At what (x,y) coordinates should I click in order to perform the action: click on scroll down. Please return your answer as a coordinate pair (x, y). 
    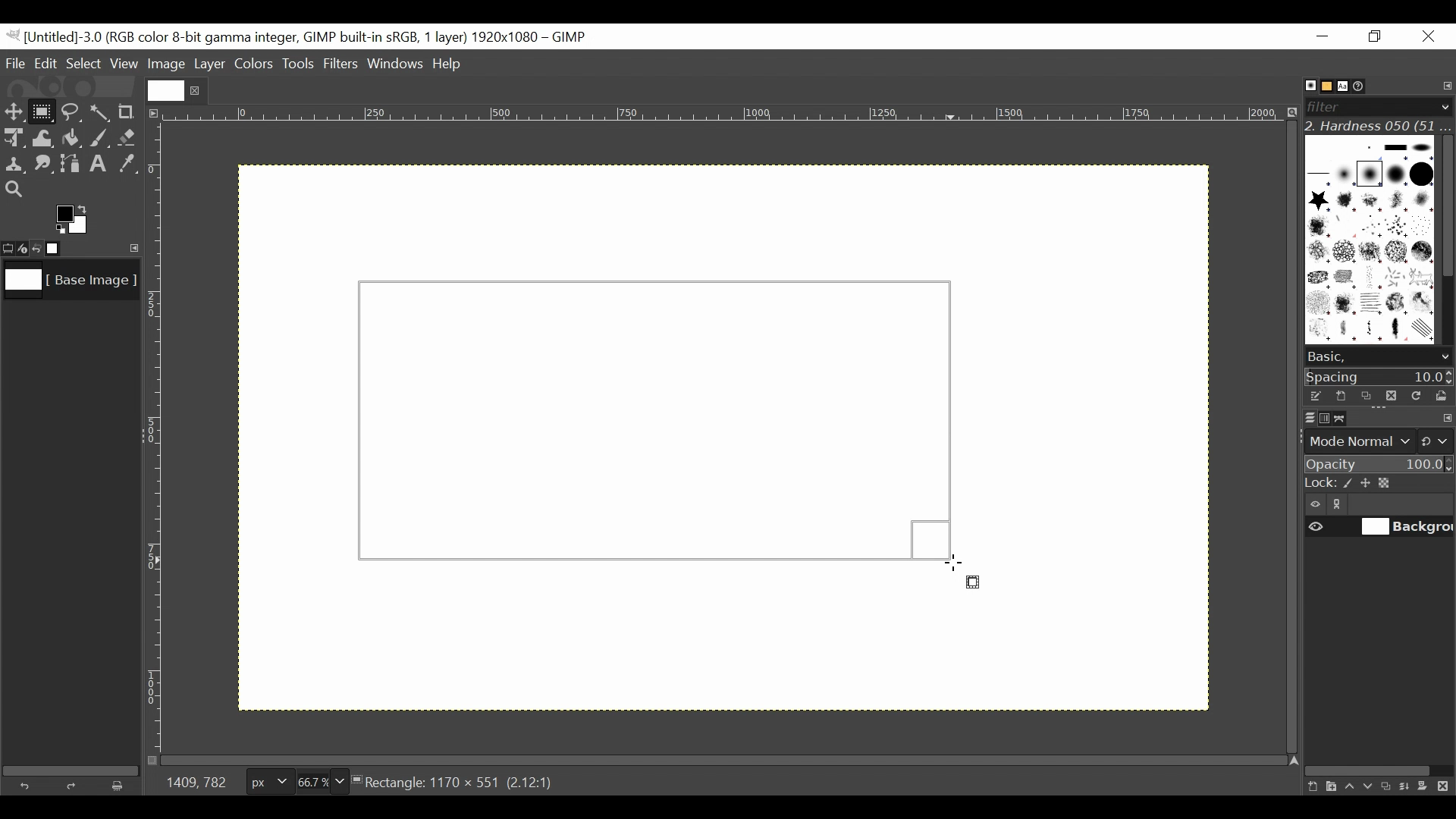
    Looking at the image, I should click on (1445, 357).